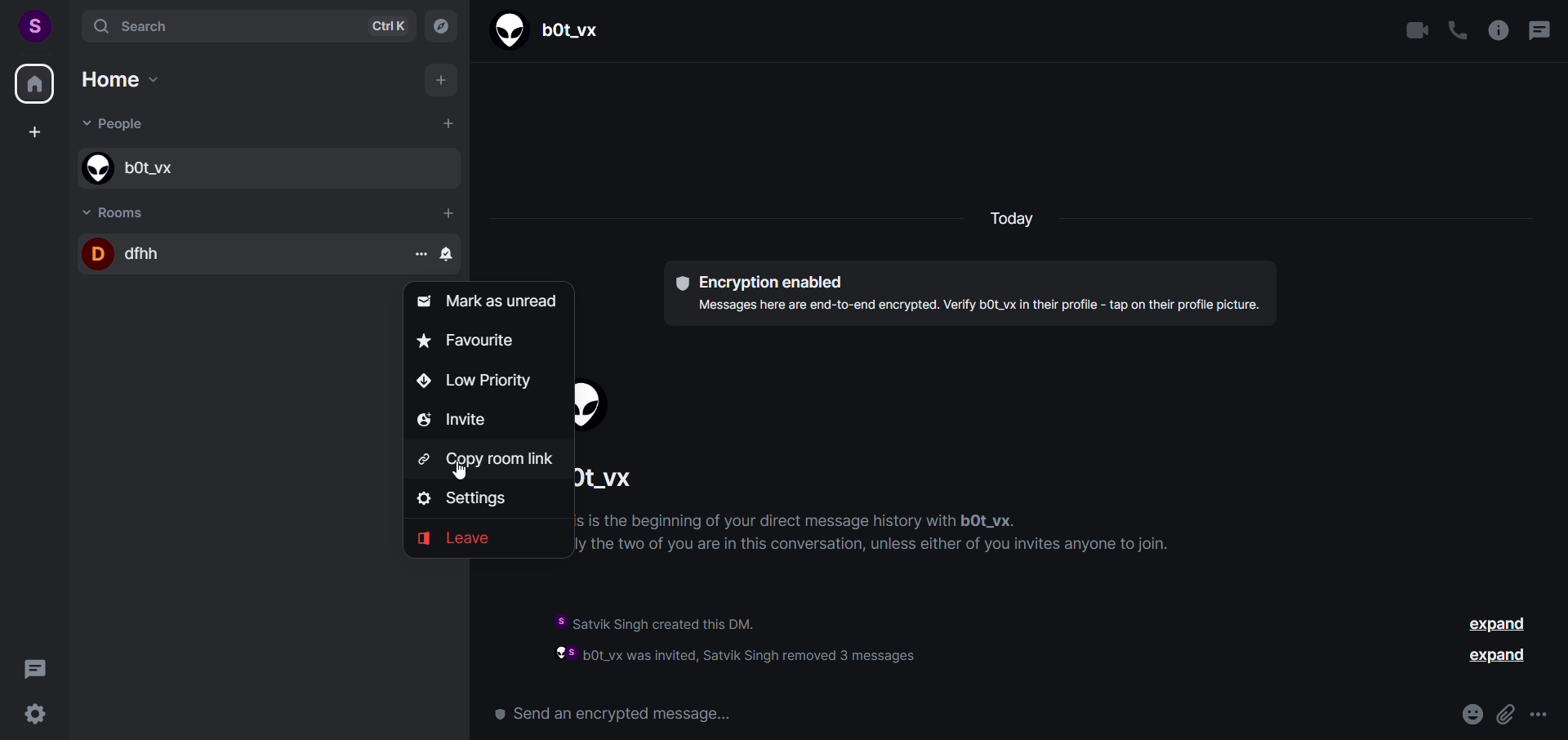 The width and height of the screenshot is (1568, 740). I want to click on copy room link, so click(488, 461).